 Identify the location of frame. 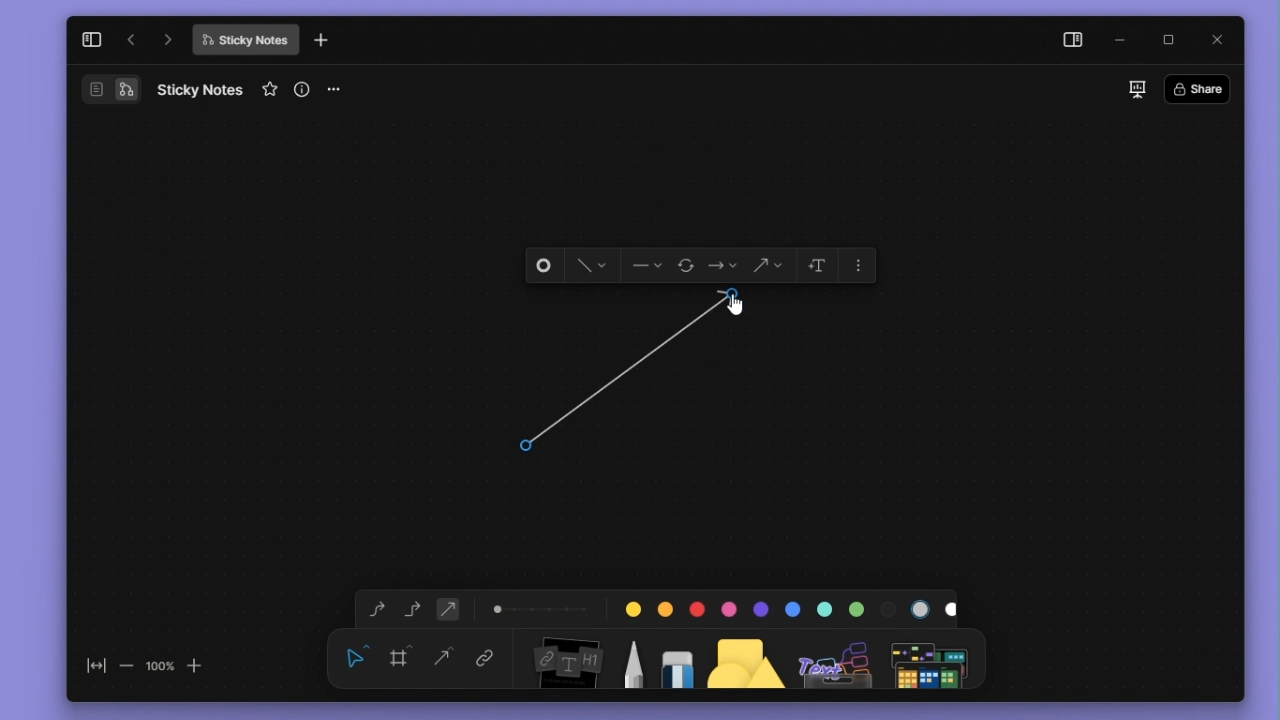
(403, 656).